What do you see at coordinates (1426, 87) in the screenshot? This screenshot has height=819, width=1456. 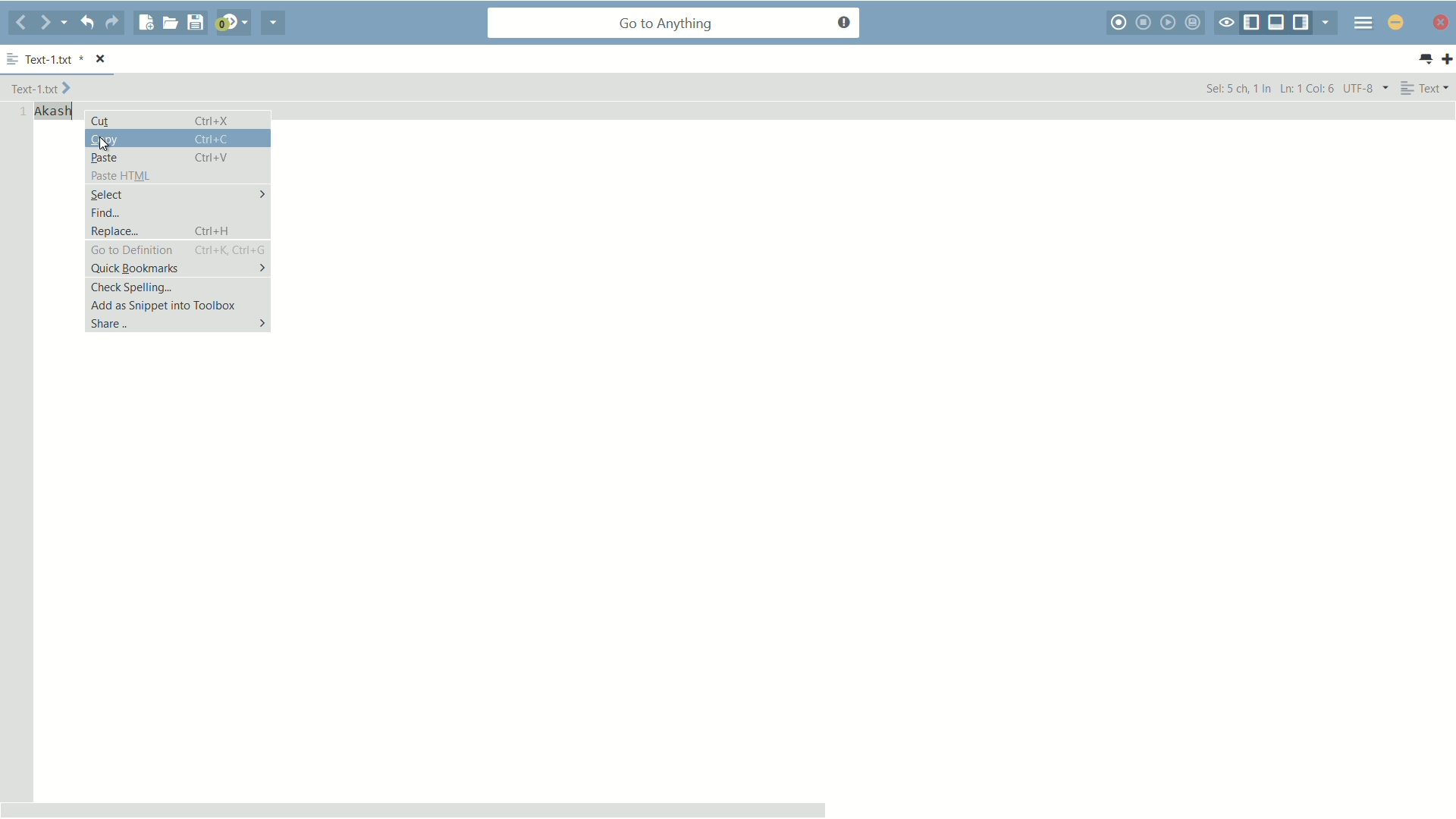 I see `file type` at bounding box center [1426, 87].